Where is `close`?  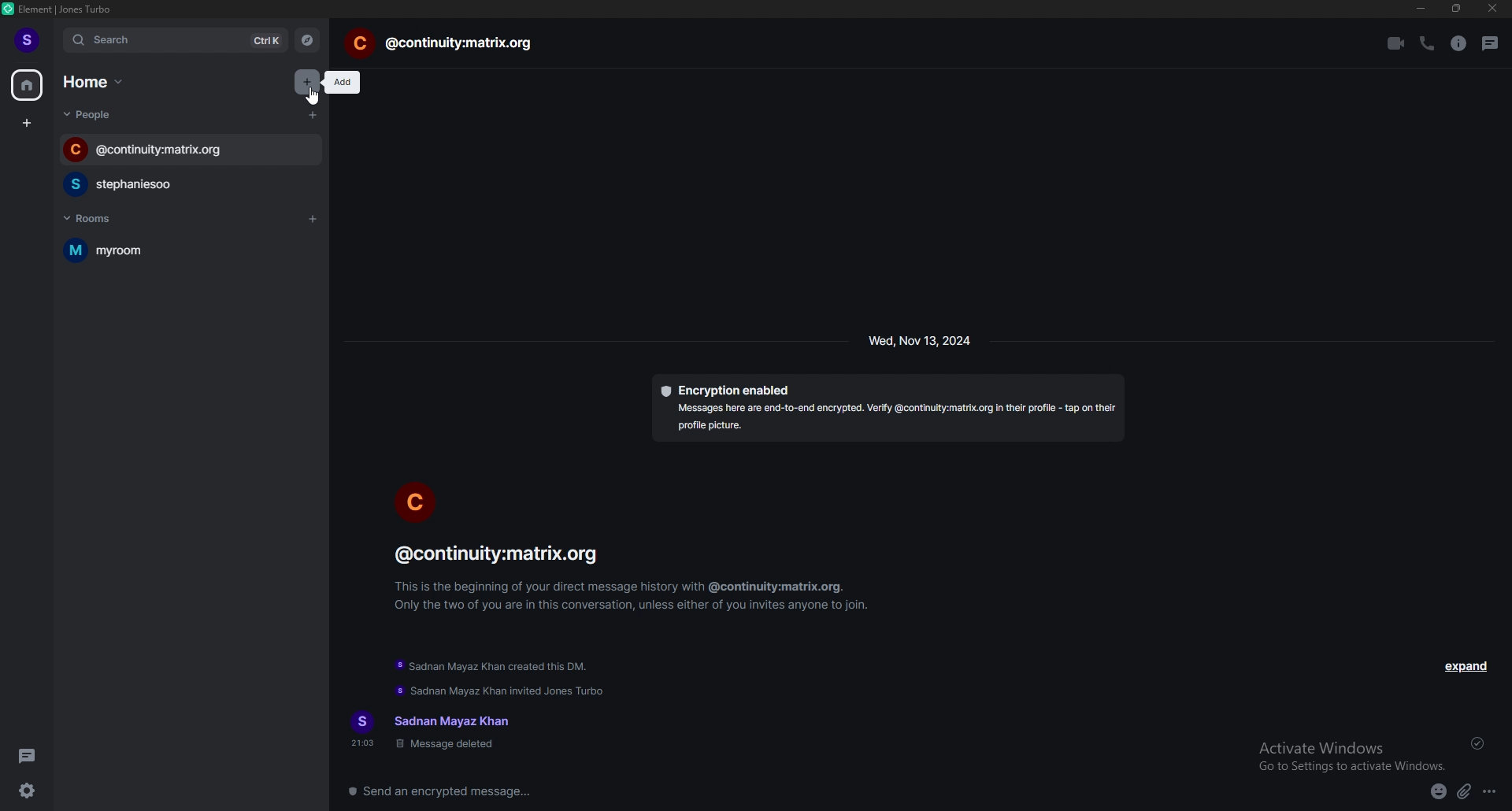
close is located at coordinates (1492, 9).